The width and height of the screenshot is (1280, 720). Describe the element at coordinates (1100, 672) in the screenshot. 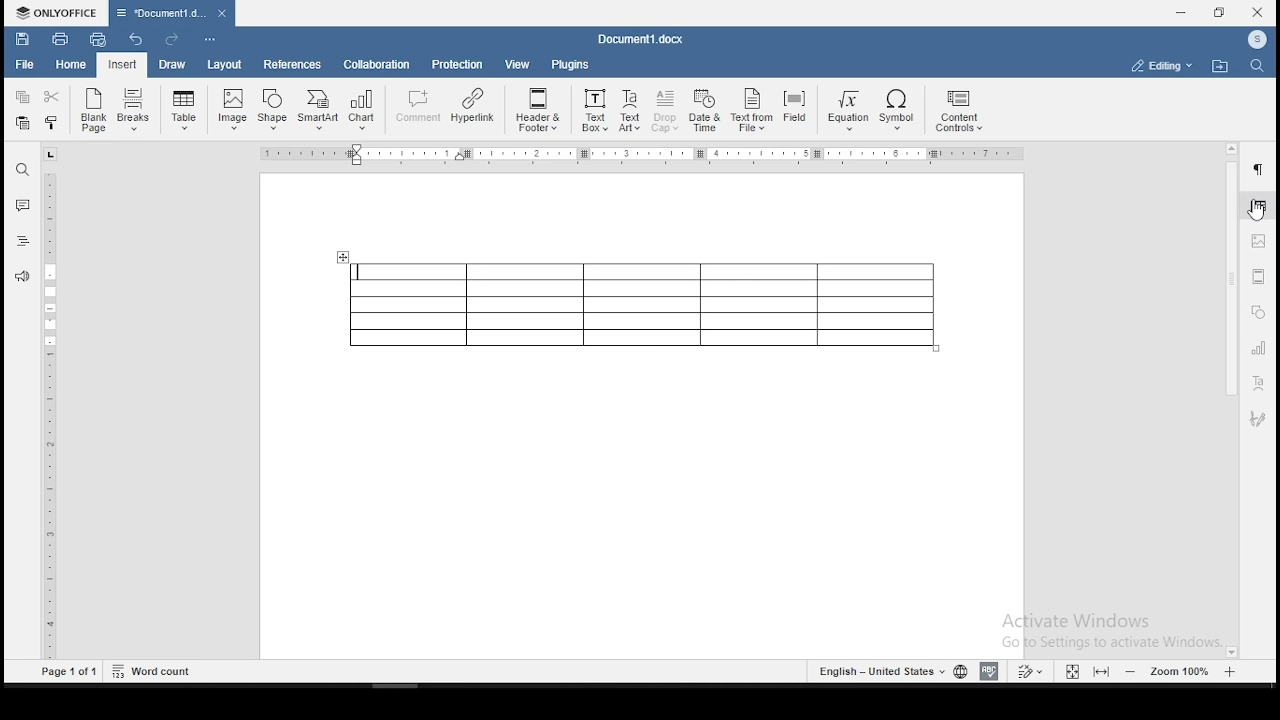

I see `fit to screen` at that location.